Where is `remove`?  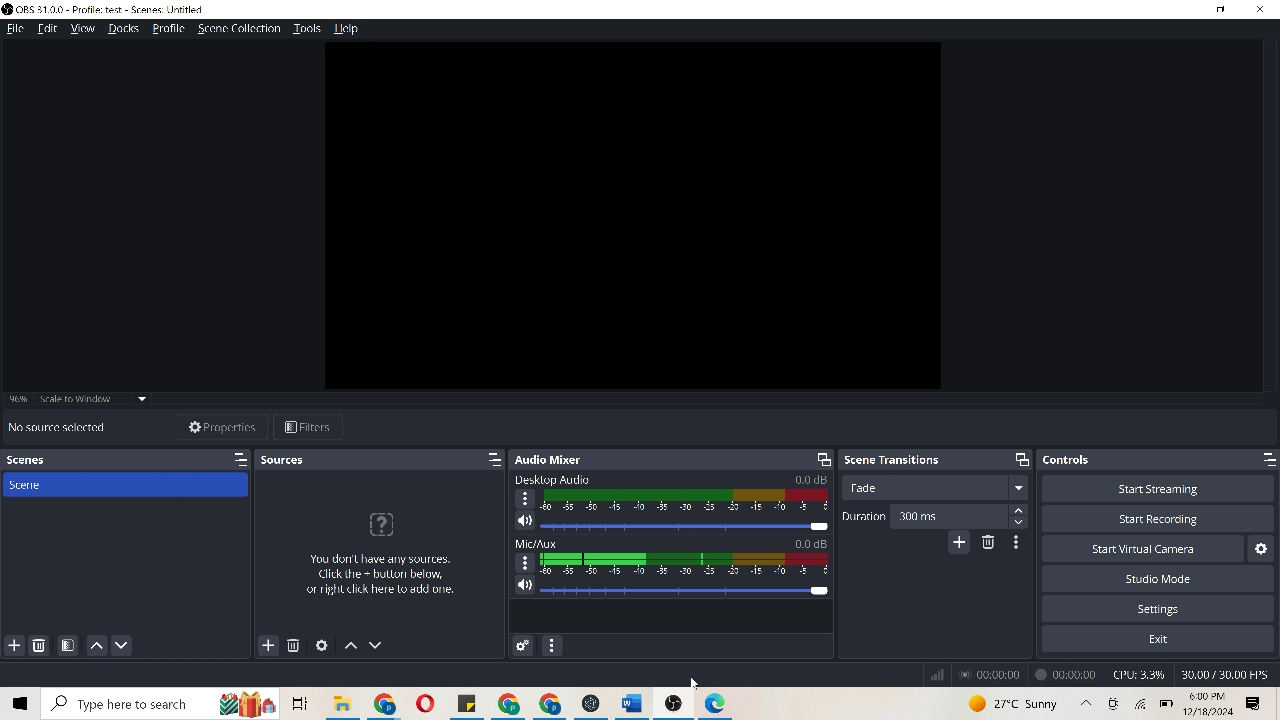 remove is located at coordinates (293, 647).